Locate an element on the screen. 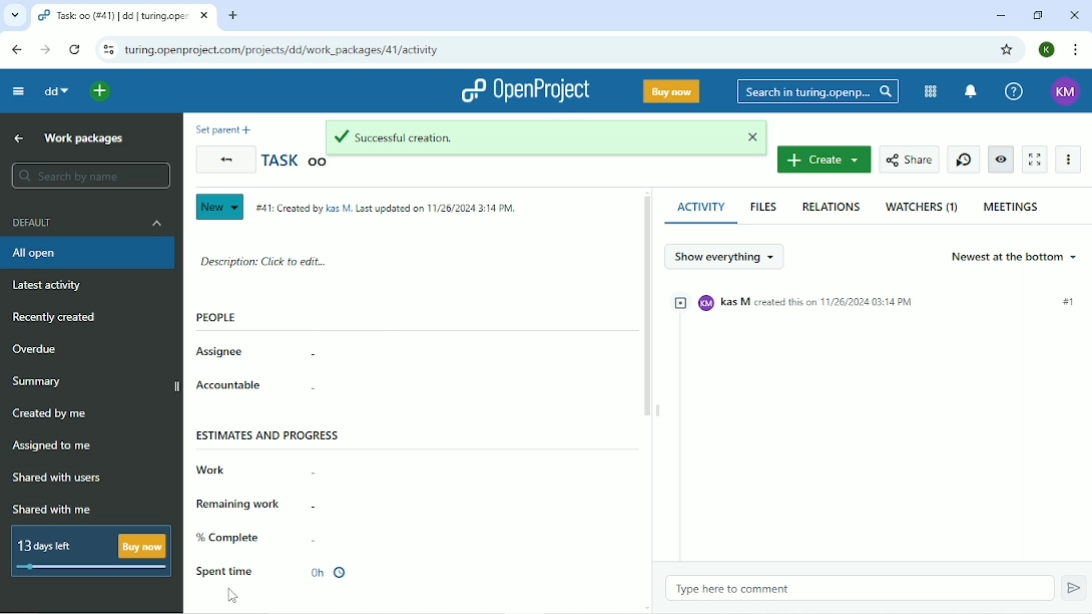 This screenshot has height=614, width=1092. Activate zen mode is located at coordinates (1035, 160).